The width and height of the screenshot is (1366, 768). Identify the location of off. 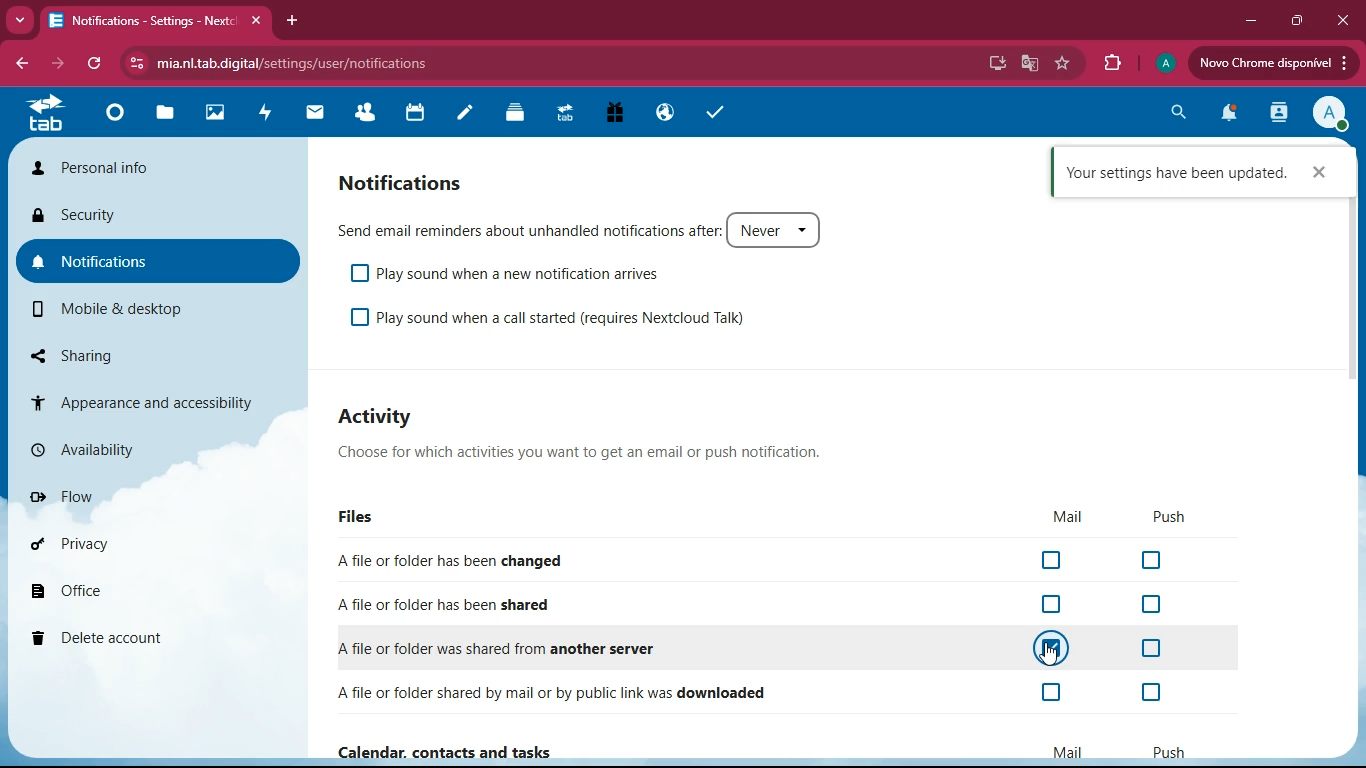
(1155, 561).